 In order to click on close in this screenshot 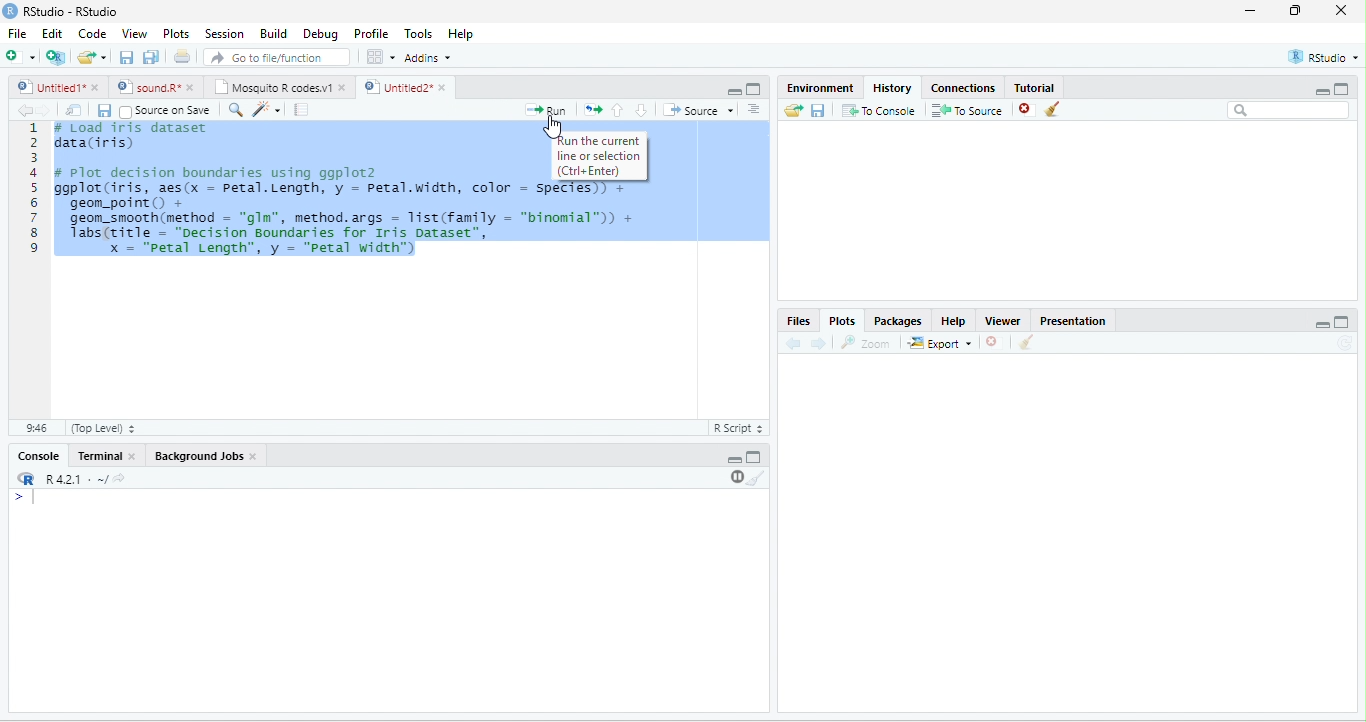, I will do `click(192, 88)`.